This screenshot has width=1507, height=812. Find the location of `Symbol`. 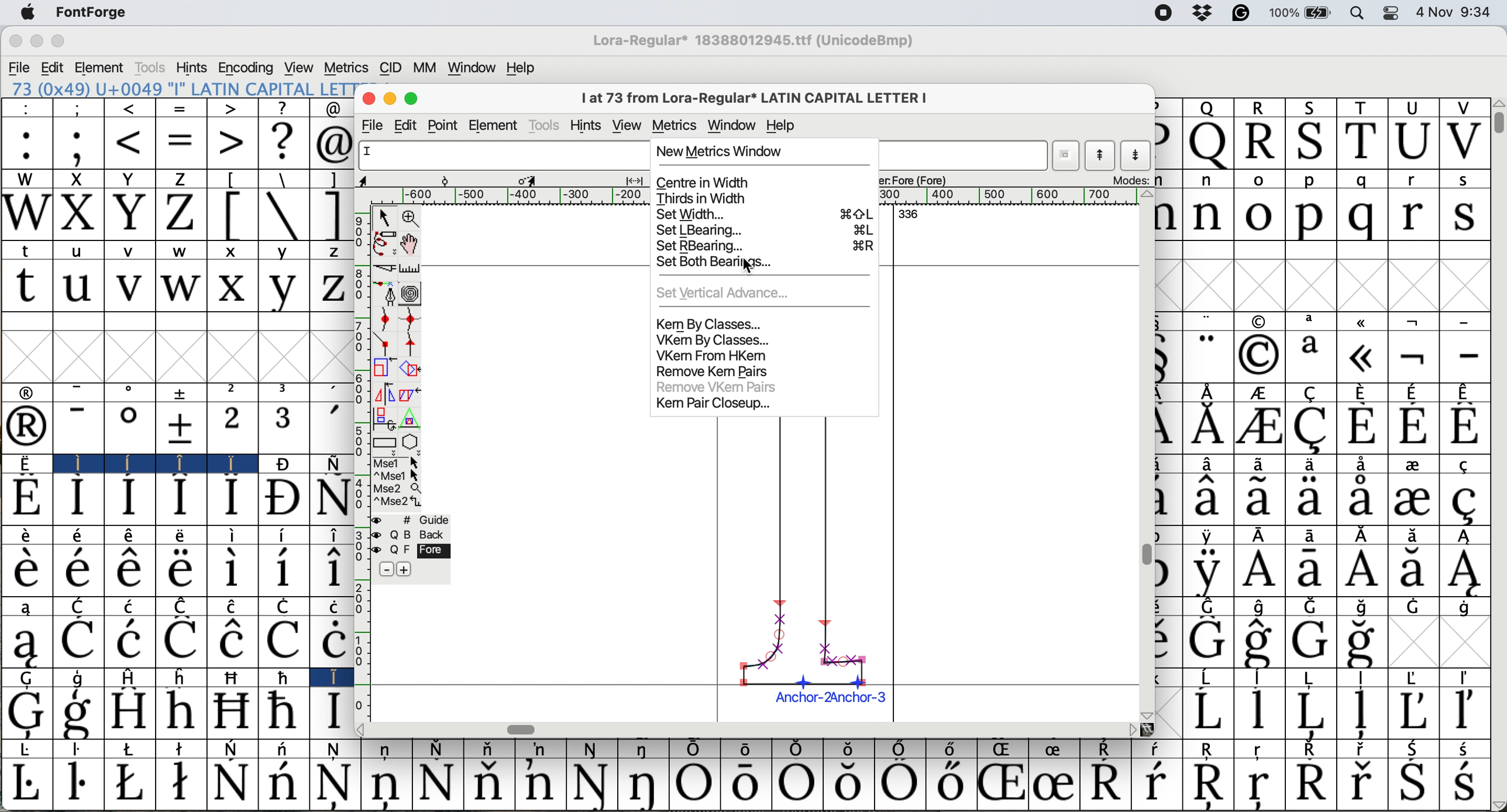

Symbol is located at coordinates (285, 748).